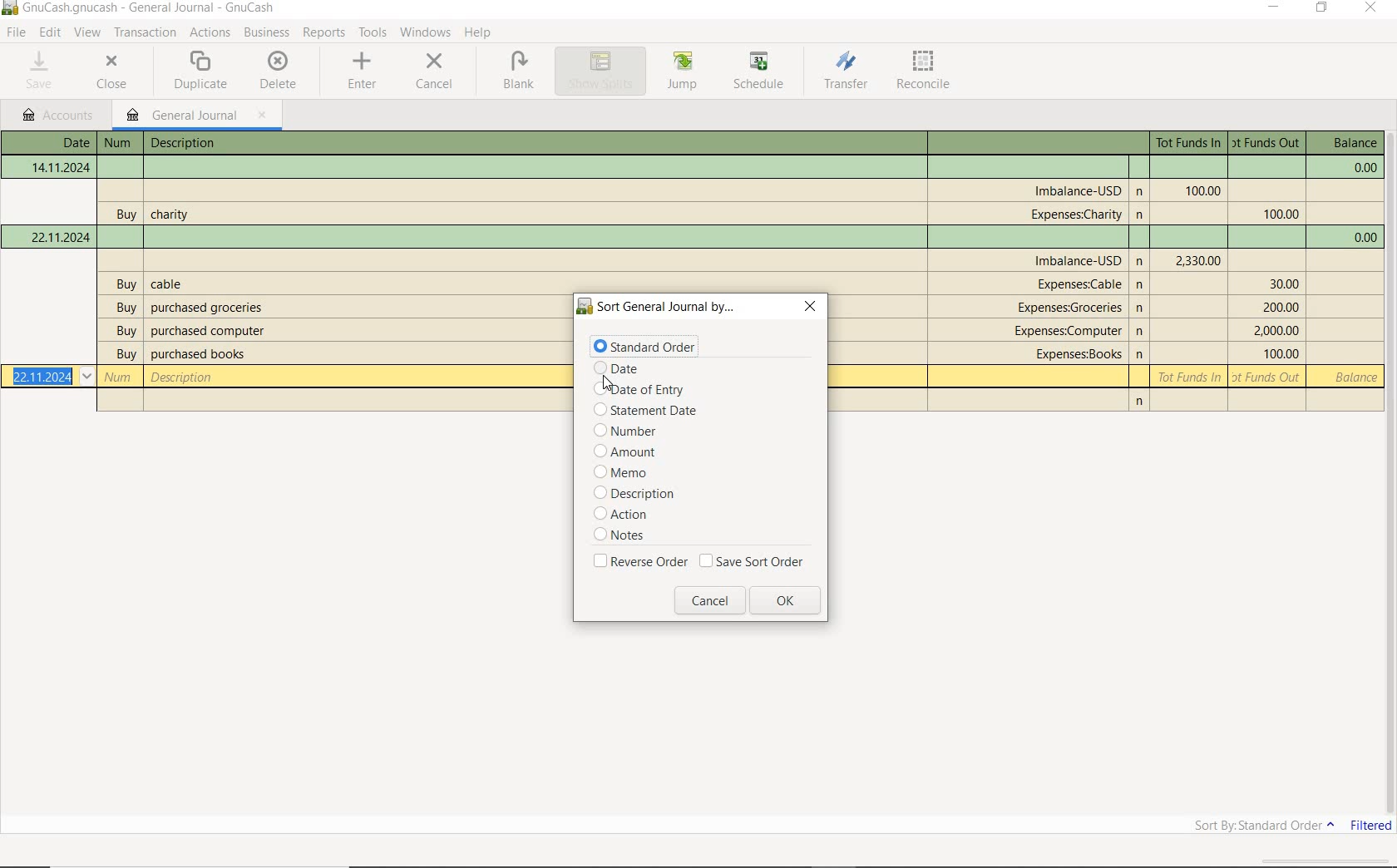  What do you see at coordinates (1142, 263) in the screenshot?
I see `` at bounding box center [1142, 263].